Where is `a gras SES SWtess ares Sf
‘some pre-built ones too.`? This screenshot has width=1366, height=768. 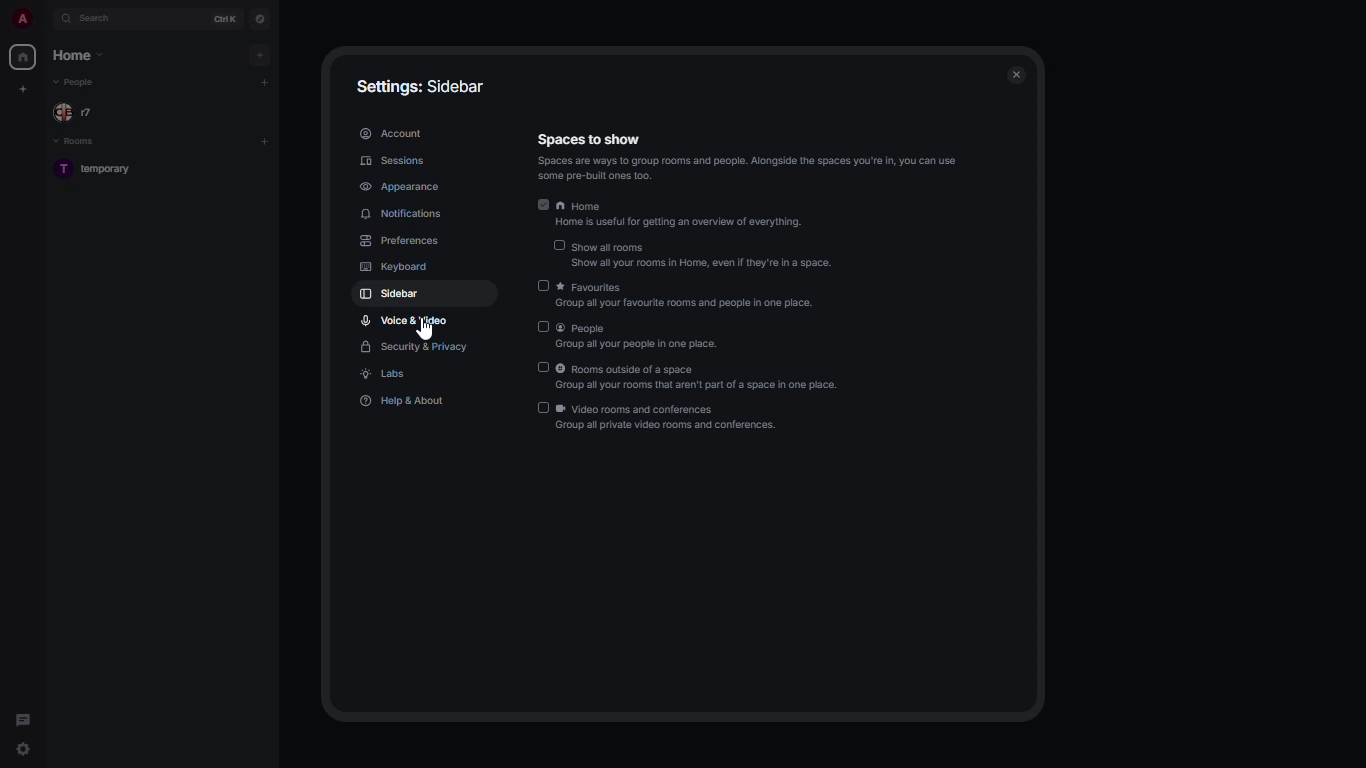
a gras SES SWtess ares Sf
‘some pre-built ones too. is located at coordinates (754, 171).